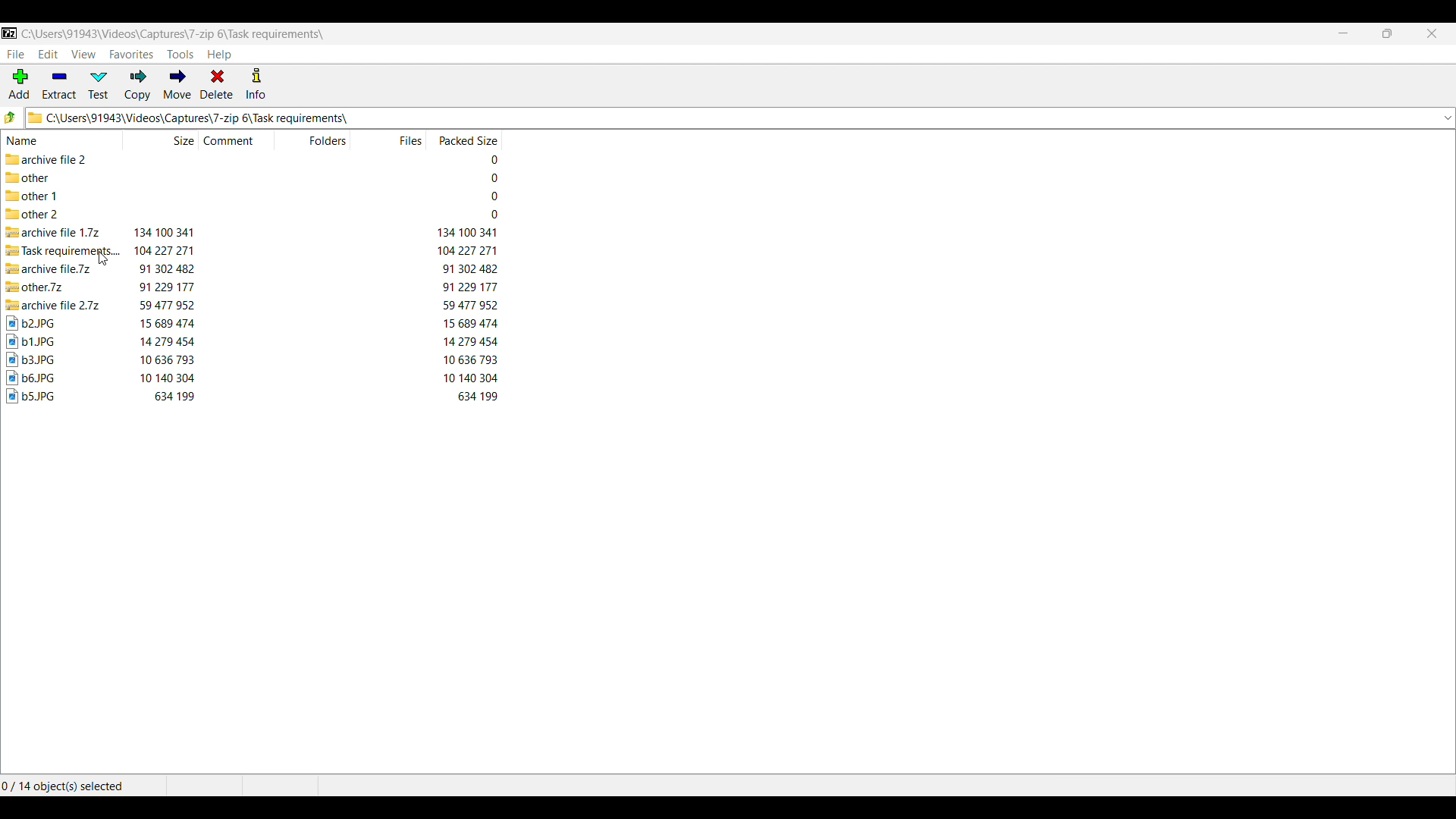 The image size is (1456, 819). I want to click on Logo and location of current folder, so click(731, 118).